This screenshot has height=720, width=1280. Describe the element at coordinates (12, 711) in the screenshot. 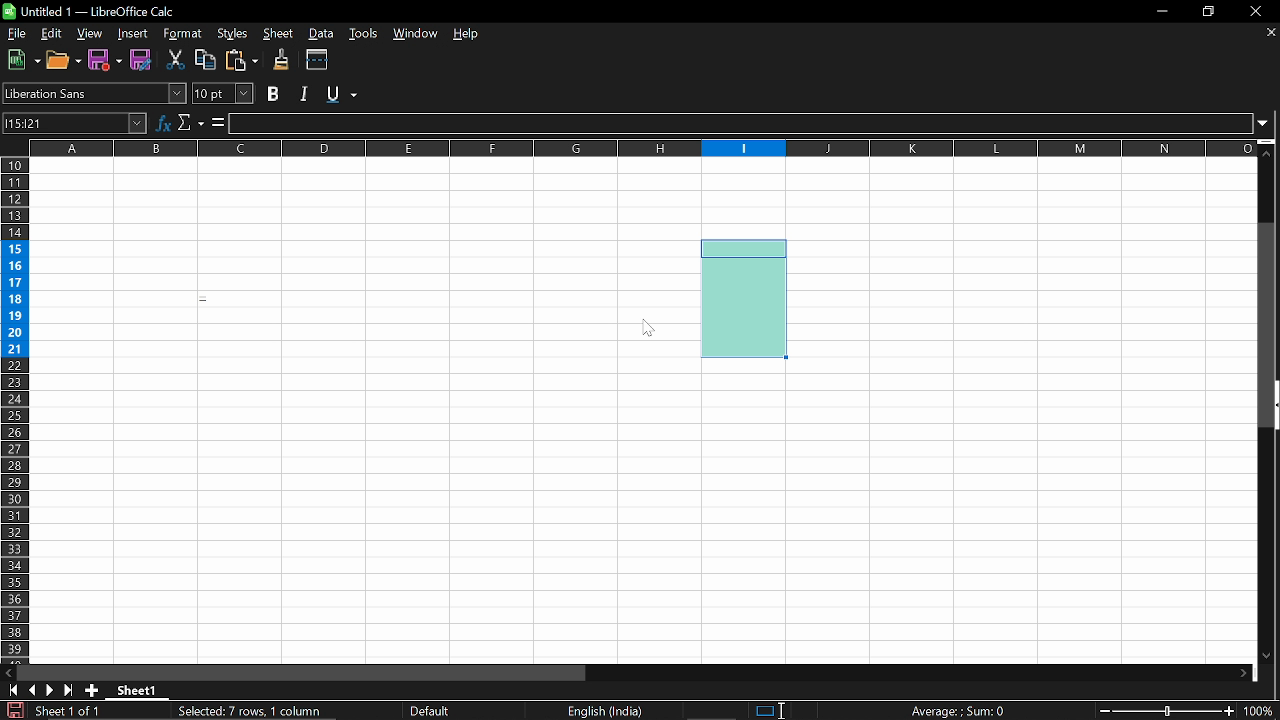

I see `Save` at that location.